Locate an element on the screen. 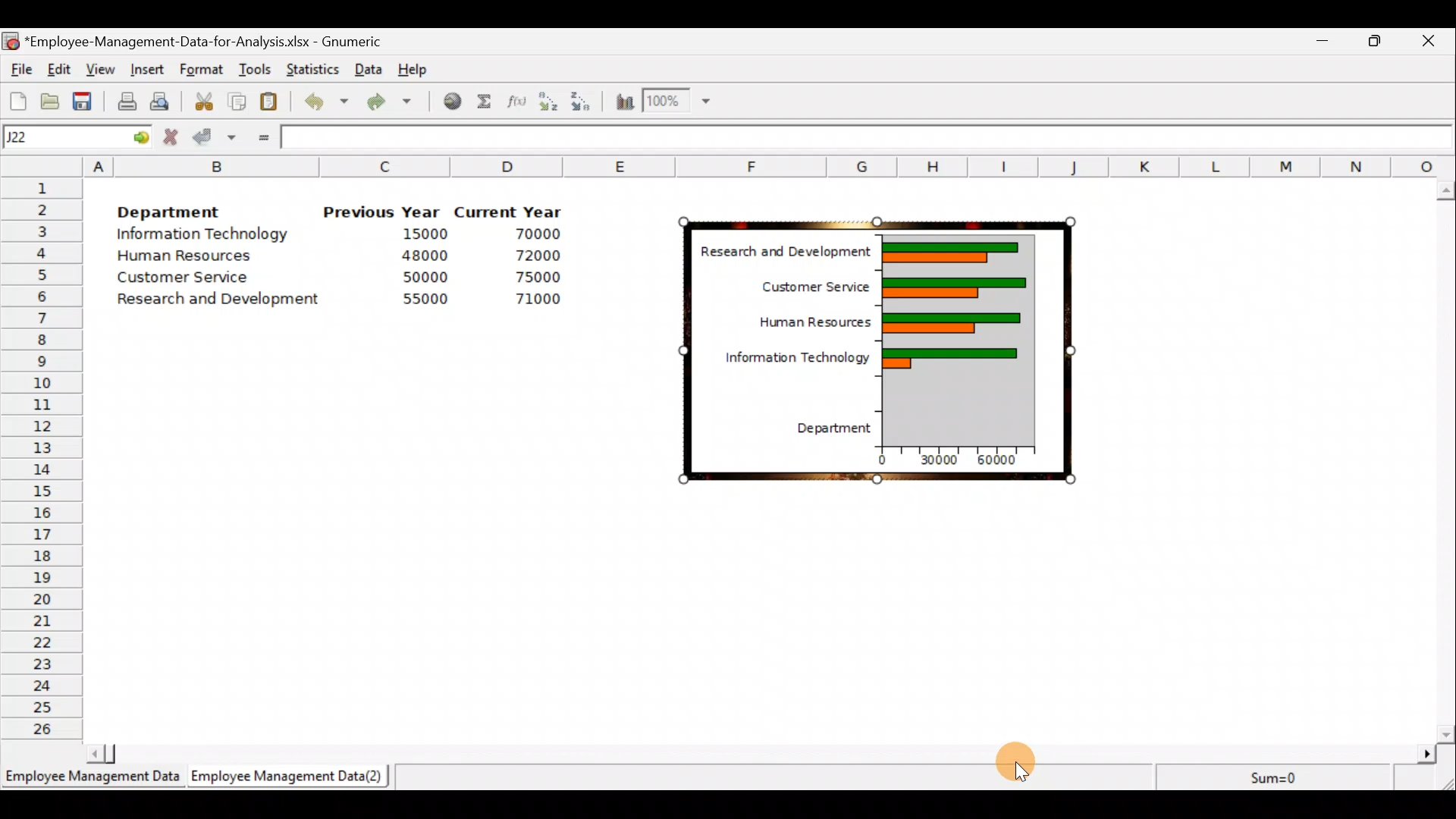  Employee Management Data is located at coordinates (90, 778).